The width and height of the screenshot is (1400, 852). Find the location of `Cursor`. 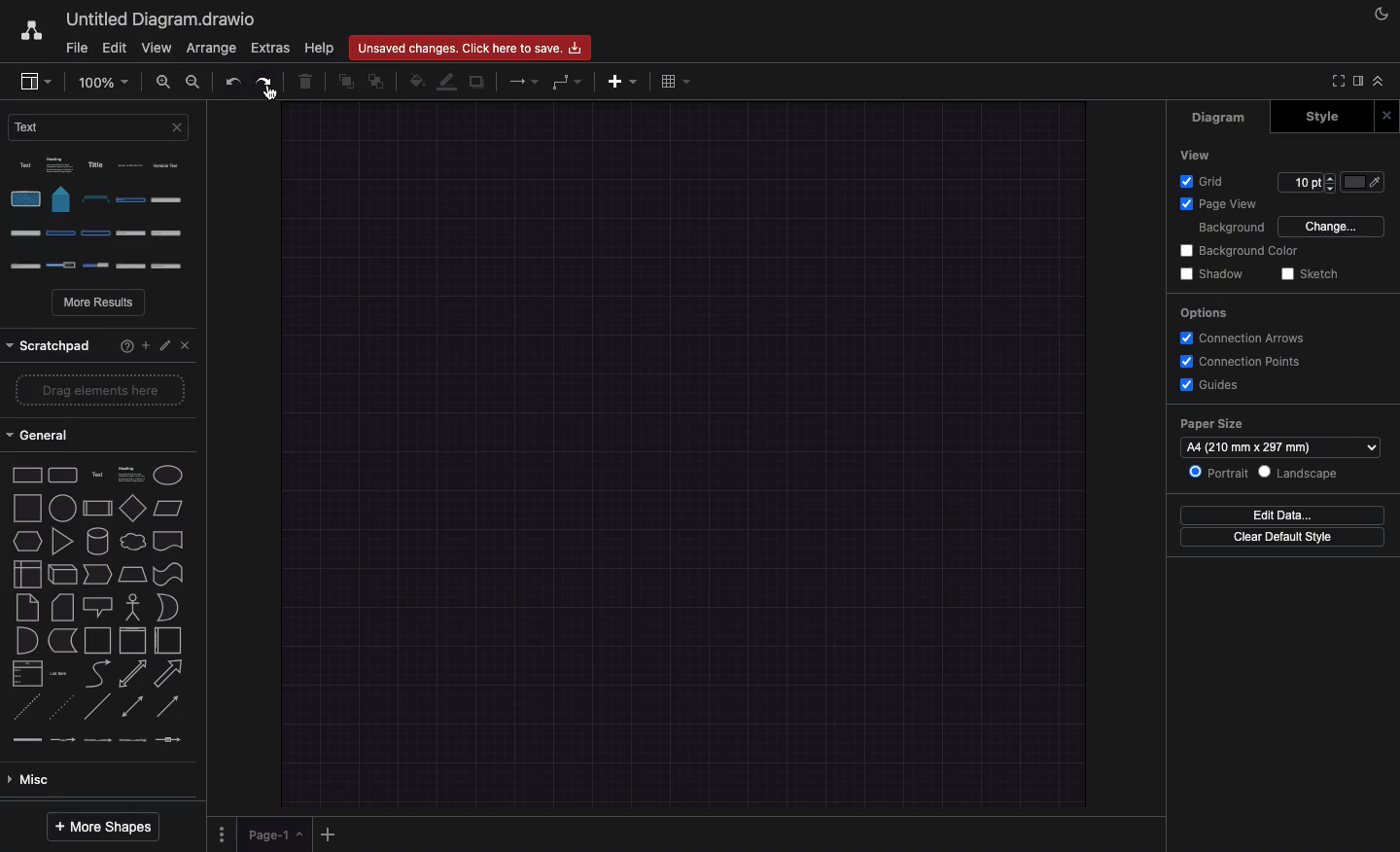

Cursor is located at coordinates (270, 92).